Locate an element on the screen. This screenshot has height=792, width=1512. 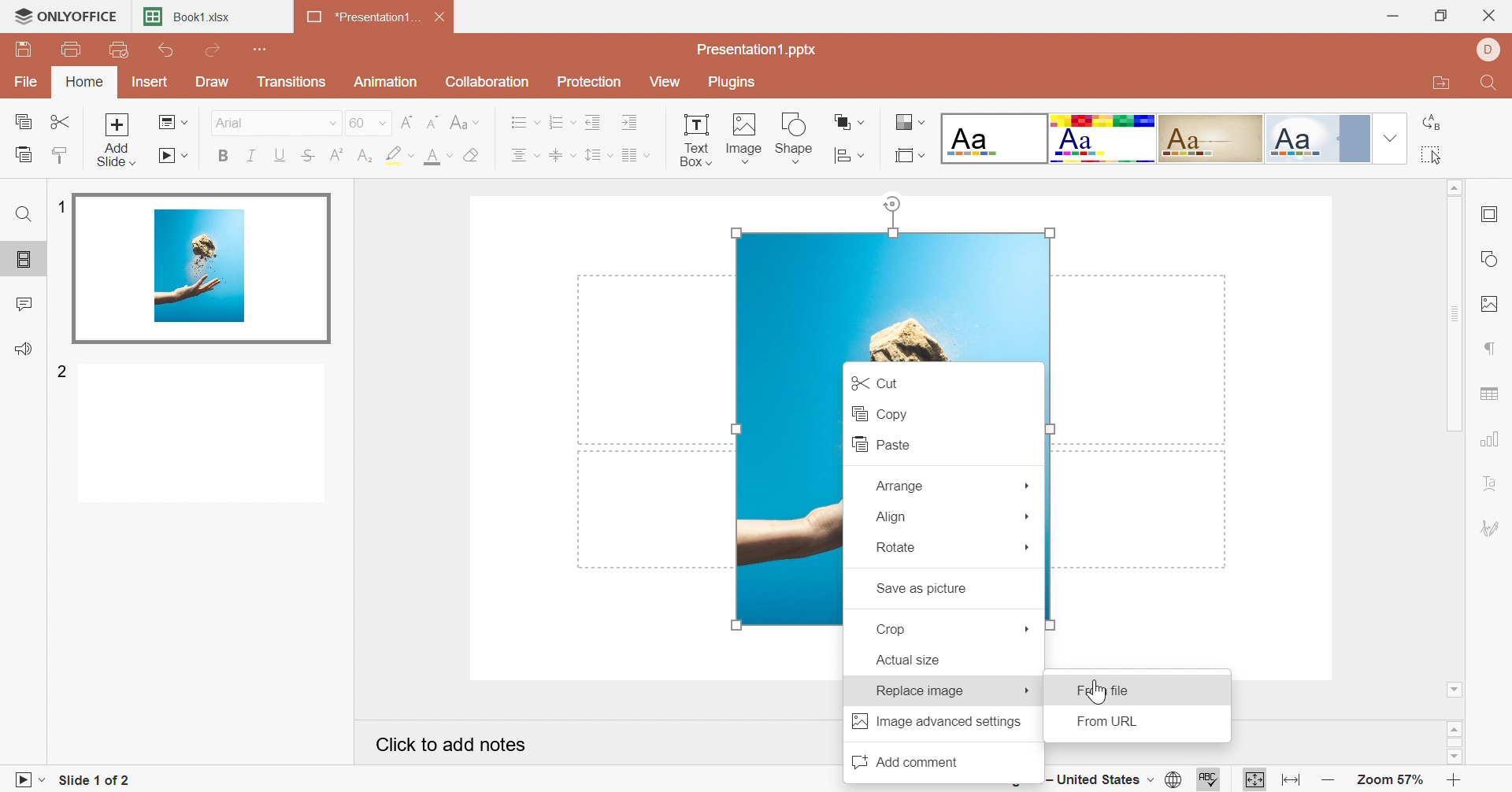
Minimize is located at coordinates (1392, 16).